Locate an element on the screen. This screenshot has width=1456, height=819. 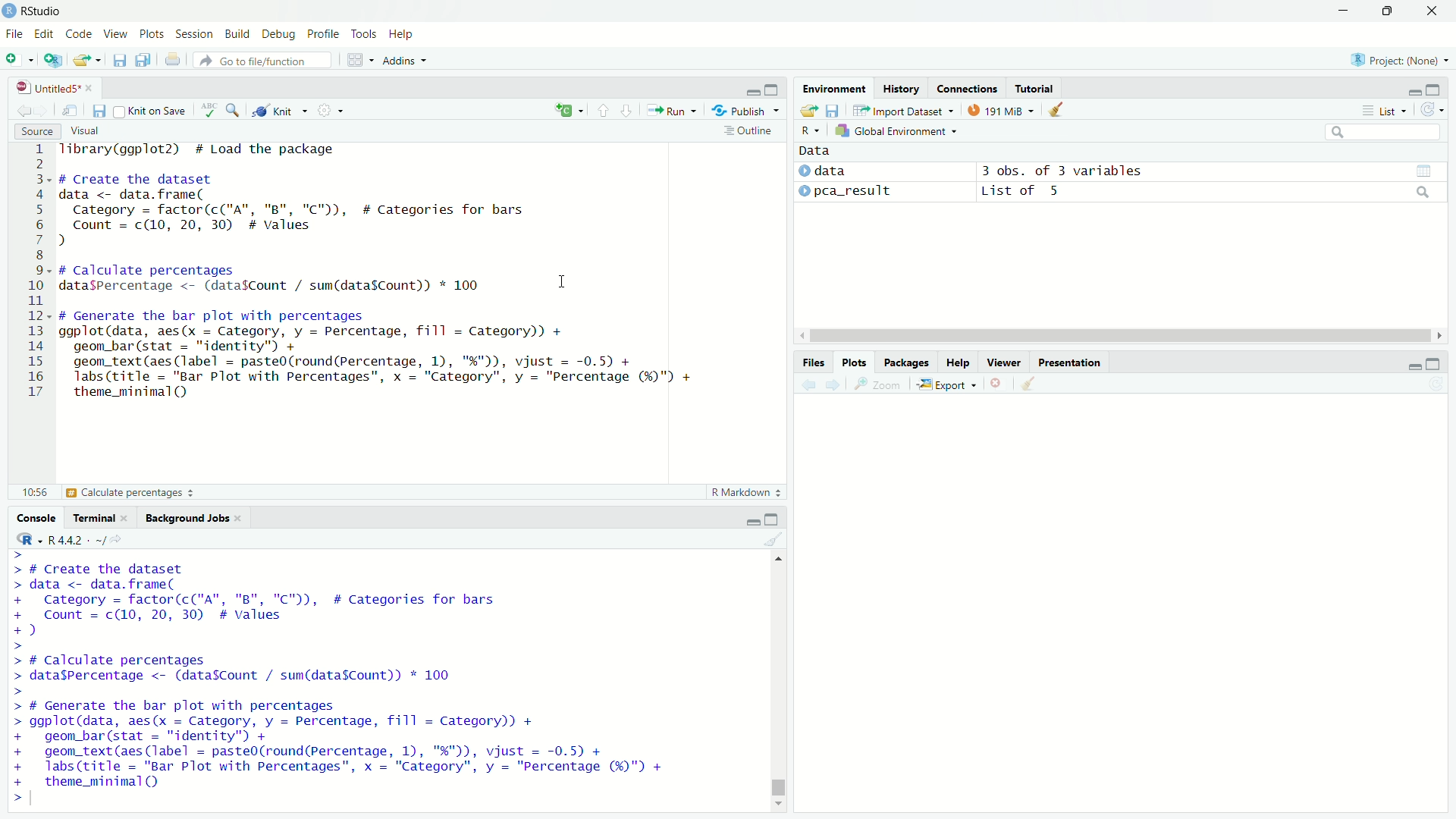
spelling check is located at coordinates (210, 110).